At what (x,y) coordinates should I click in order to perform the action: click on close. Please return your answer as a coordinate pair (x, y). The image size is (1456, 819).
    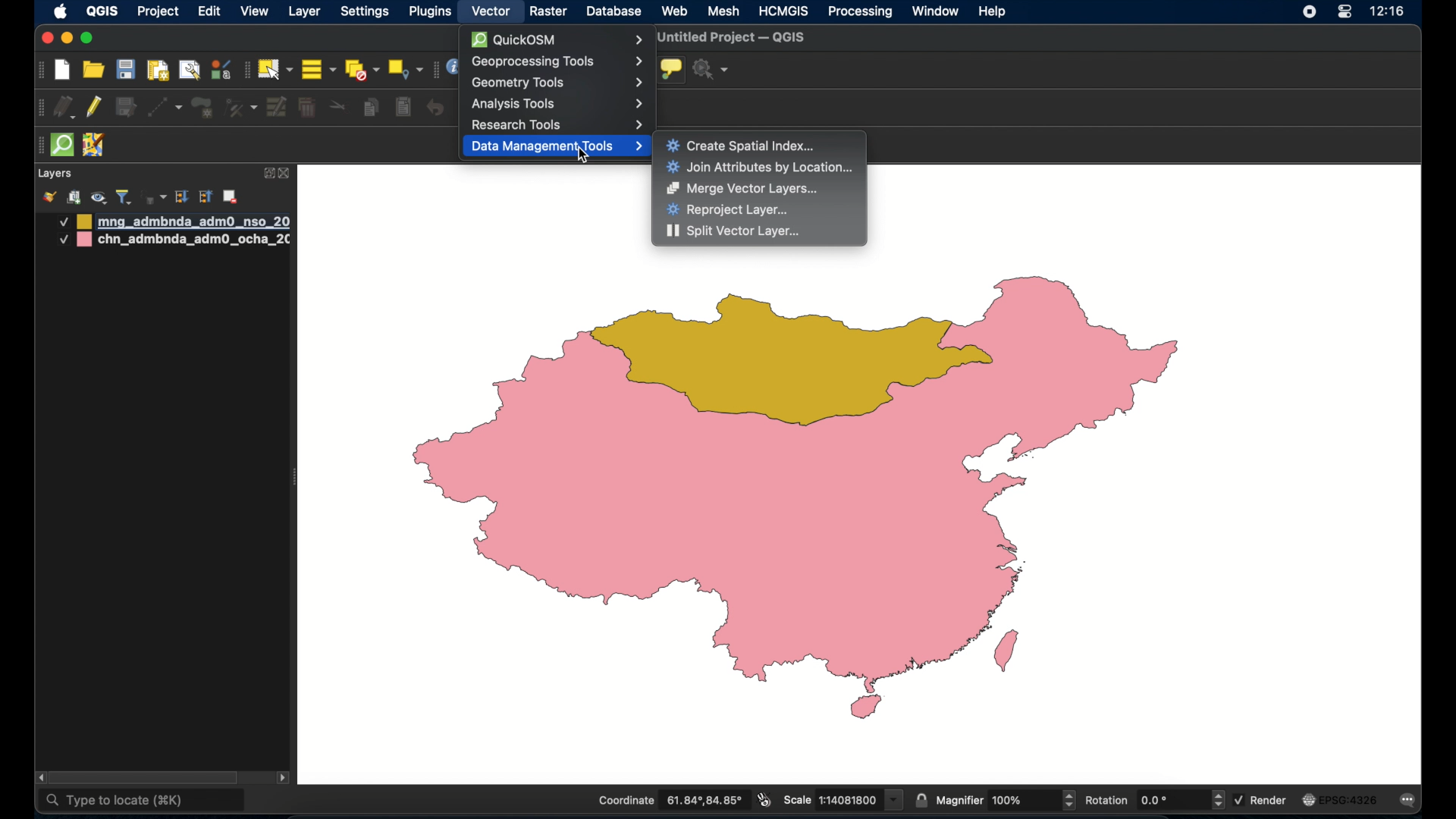
    Looking at the image, I should click on (286, 174).